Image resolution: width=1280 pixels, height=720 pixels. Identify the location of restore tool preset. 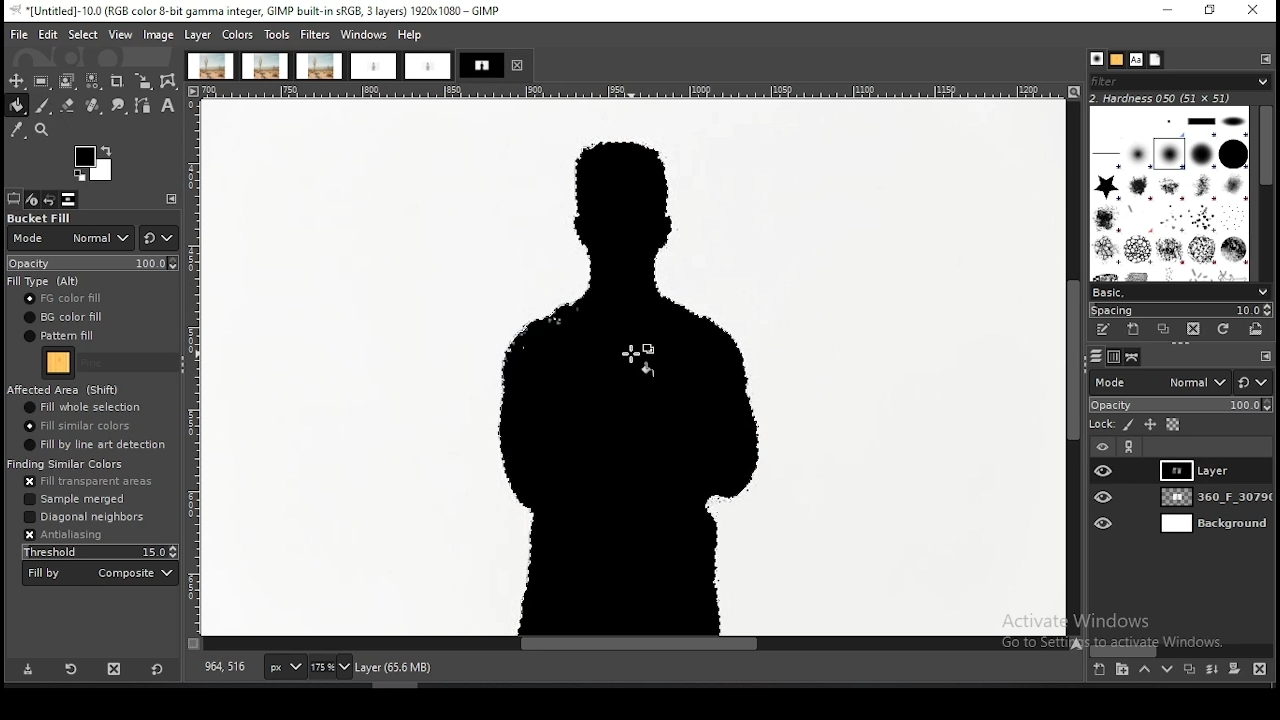
(73, 668).